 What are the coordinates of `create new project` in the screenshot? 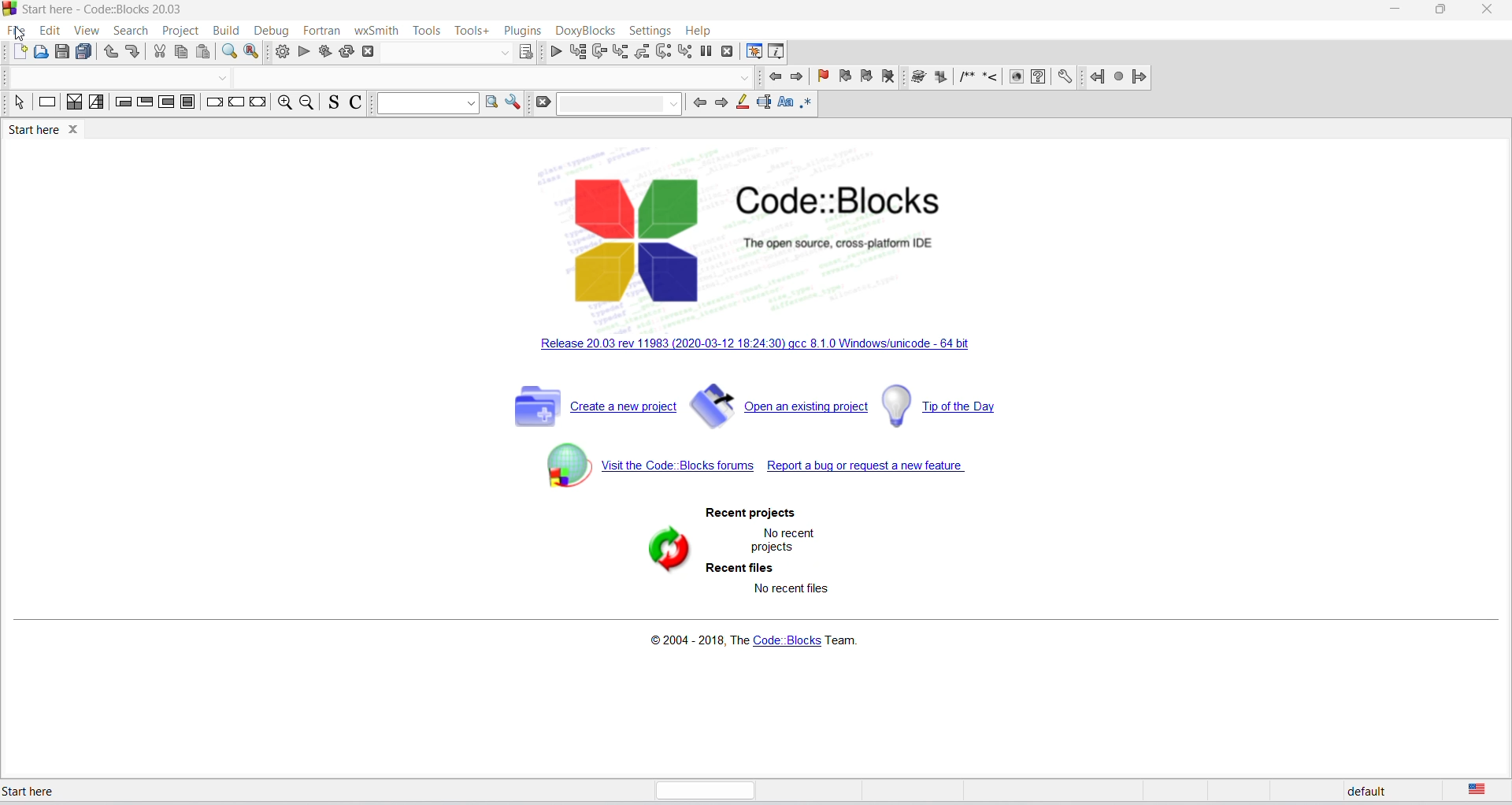 It's located at (588, 407).